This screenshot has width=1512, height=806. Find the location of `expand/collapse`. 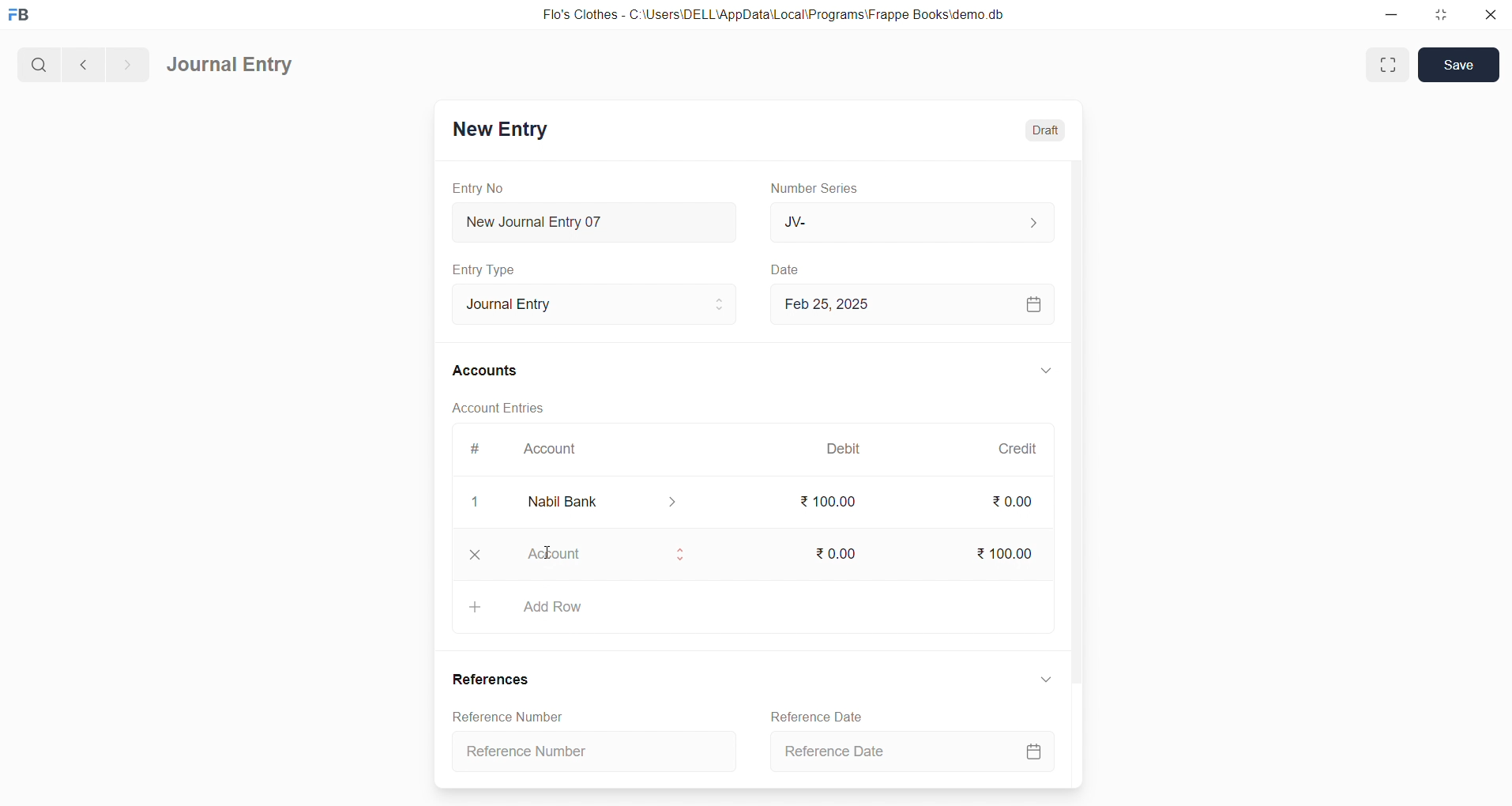

expand/collapse is located at coordinates (1045, 680).